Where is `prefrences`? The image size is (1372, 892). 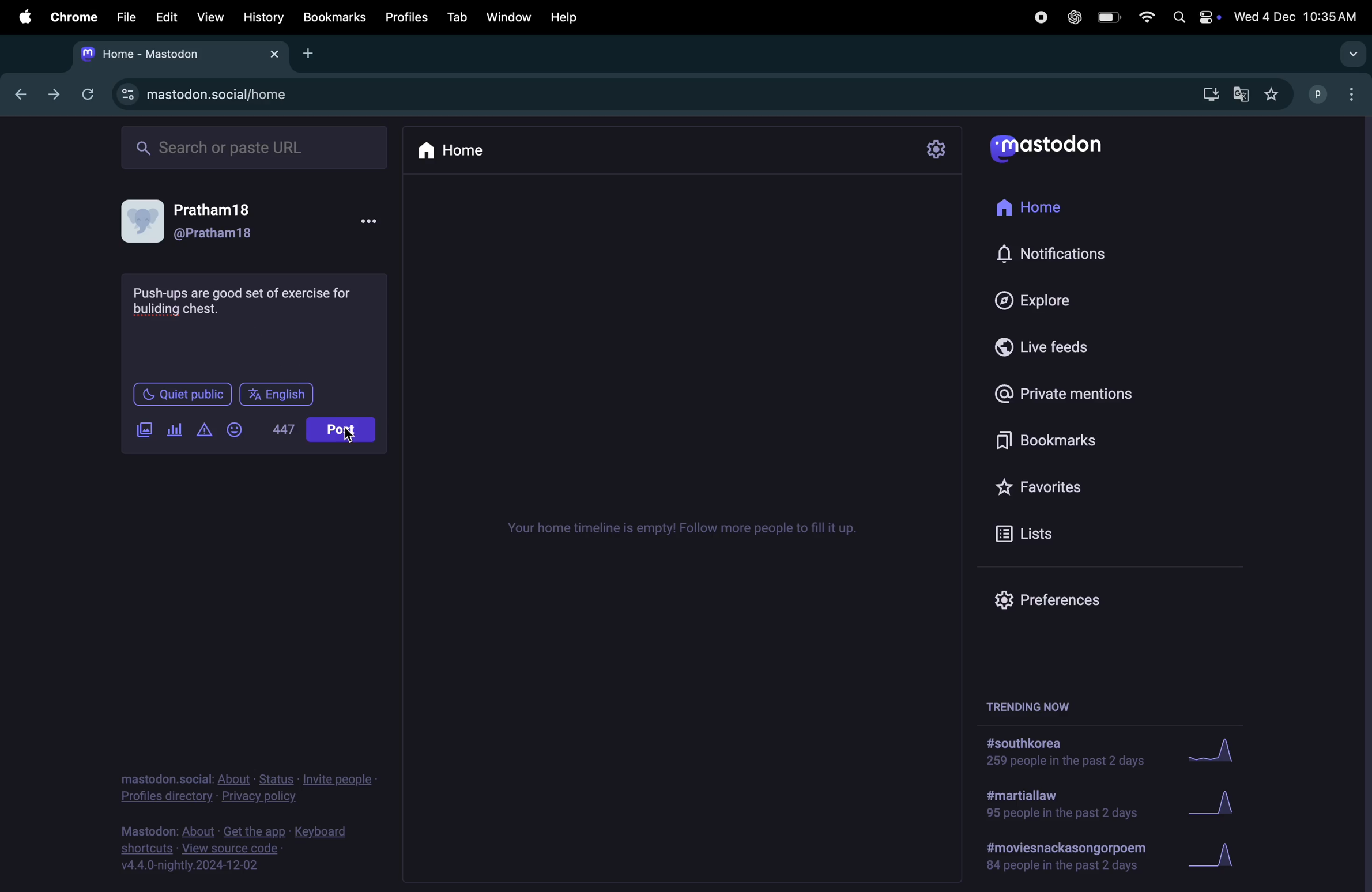
prefrences is located at coordinates (1043, 601).